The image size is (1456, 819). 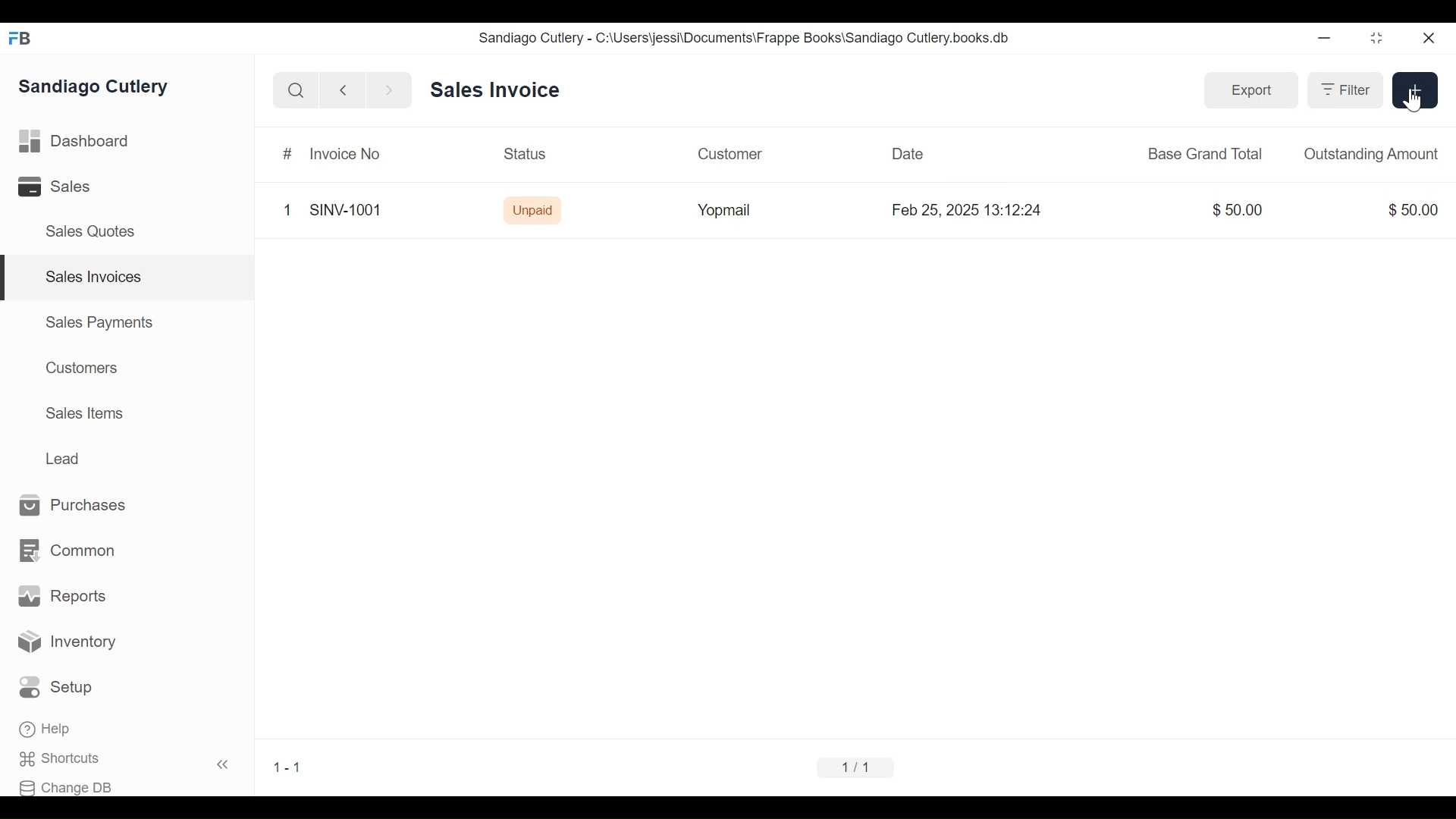 What do you see at coordinates (726, 212) in the screenshot?
I see `‘Yopmail` at bounding box center [726, 212].